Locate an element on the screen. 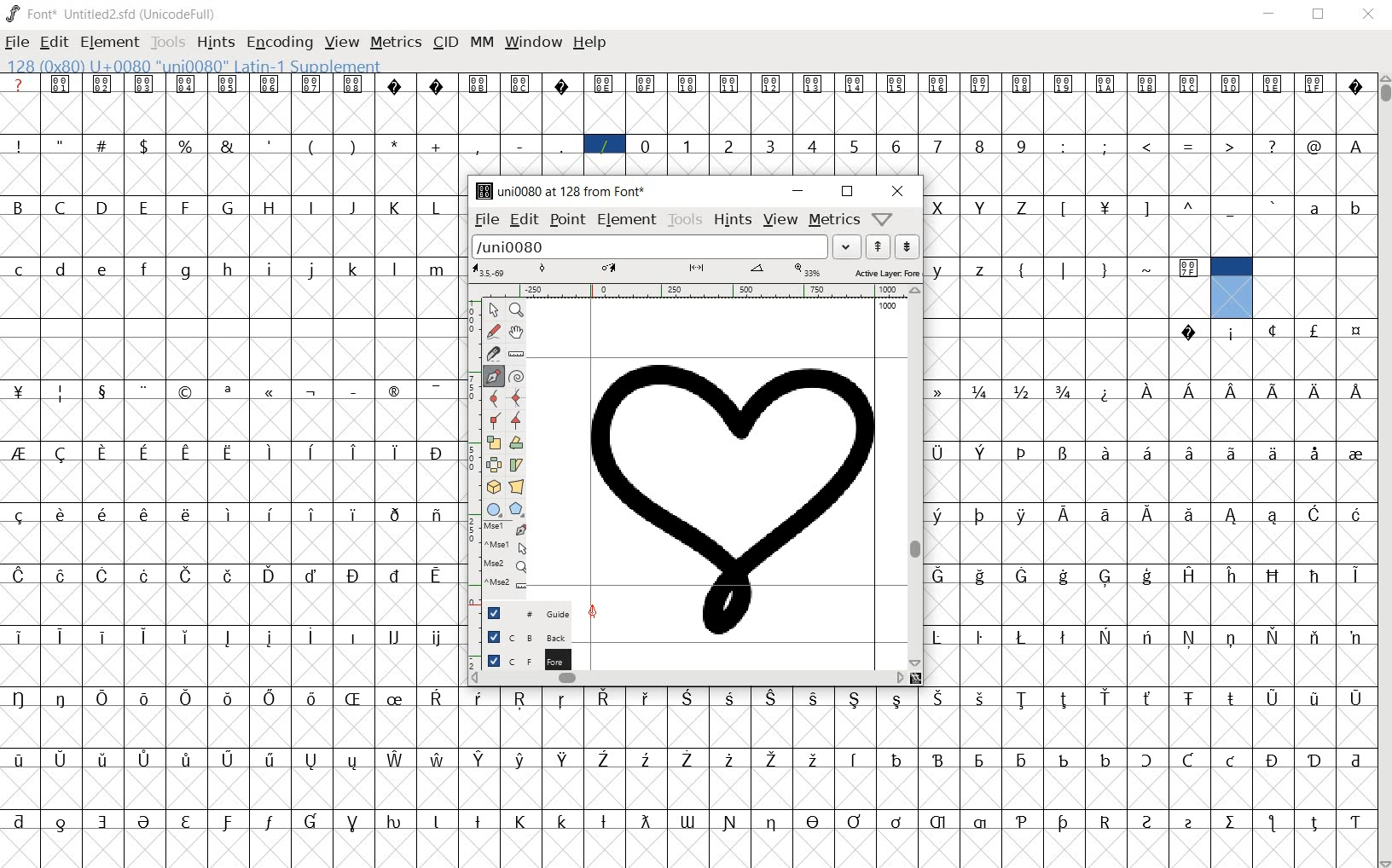  glyph is located at coordinates (981, 271).